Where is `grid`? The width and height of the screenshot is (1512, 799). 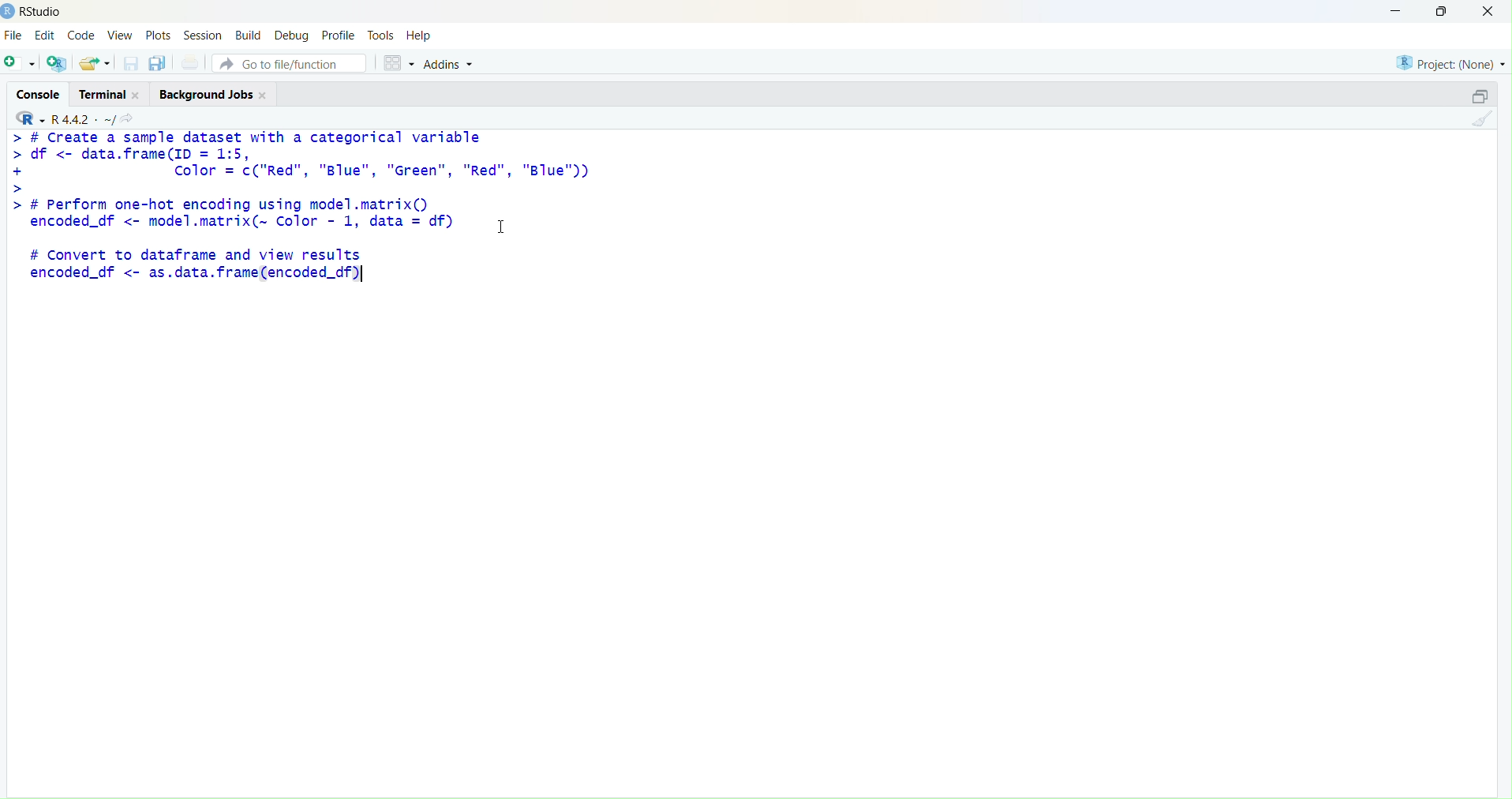
grid is located at coordinates (399, 63).